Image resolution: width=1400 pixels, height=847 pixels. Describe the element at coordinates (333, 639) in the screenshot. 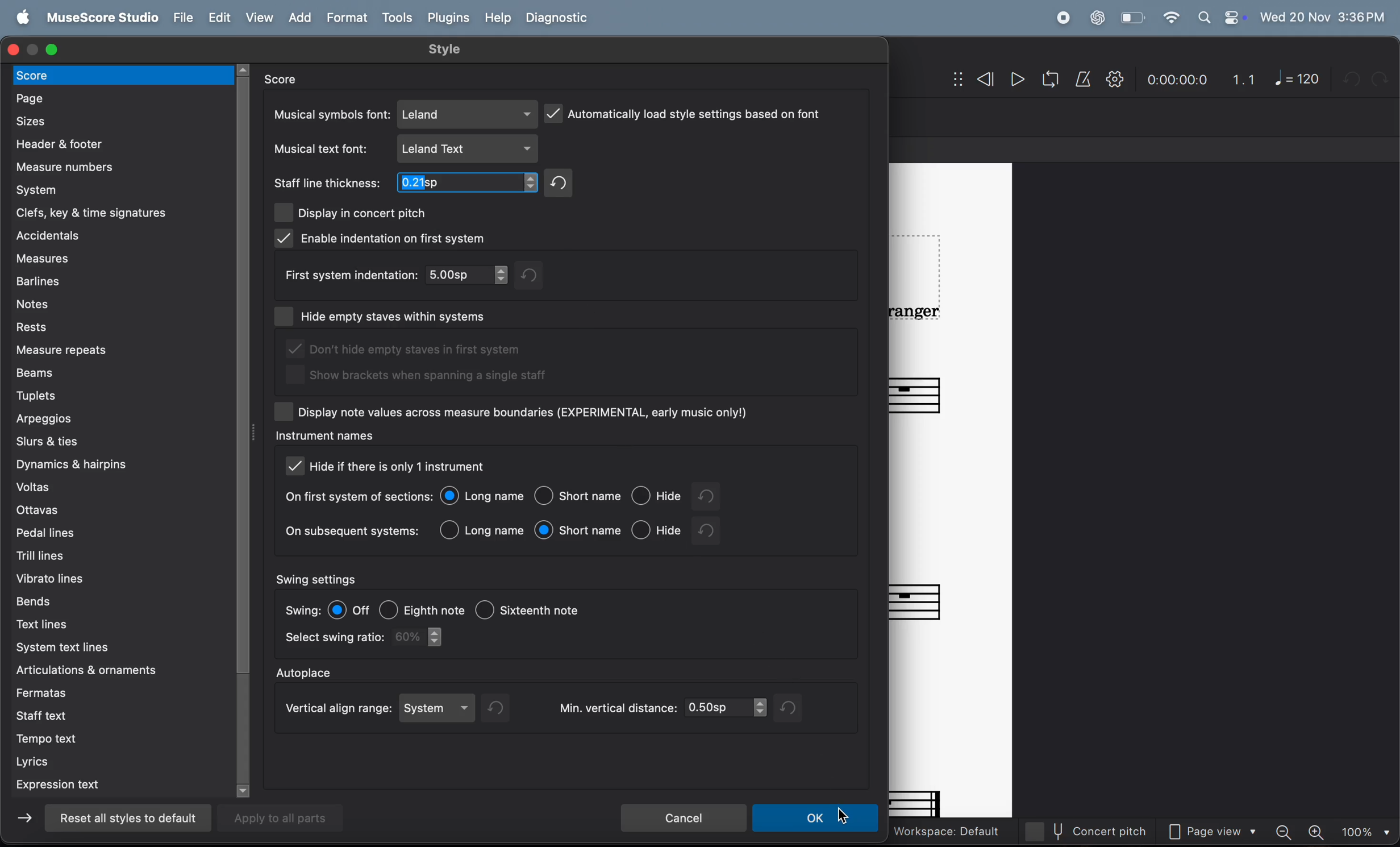

I see `select swing ratio` at that location.